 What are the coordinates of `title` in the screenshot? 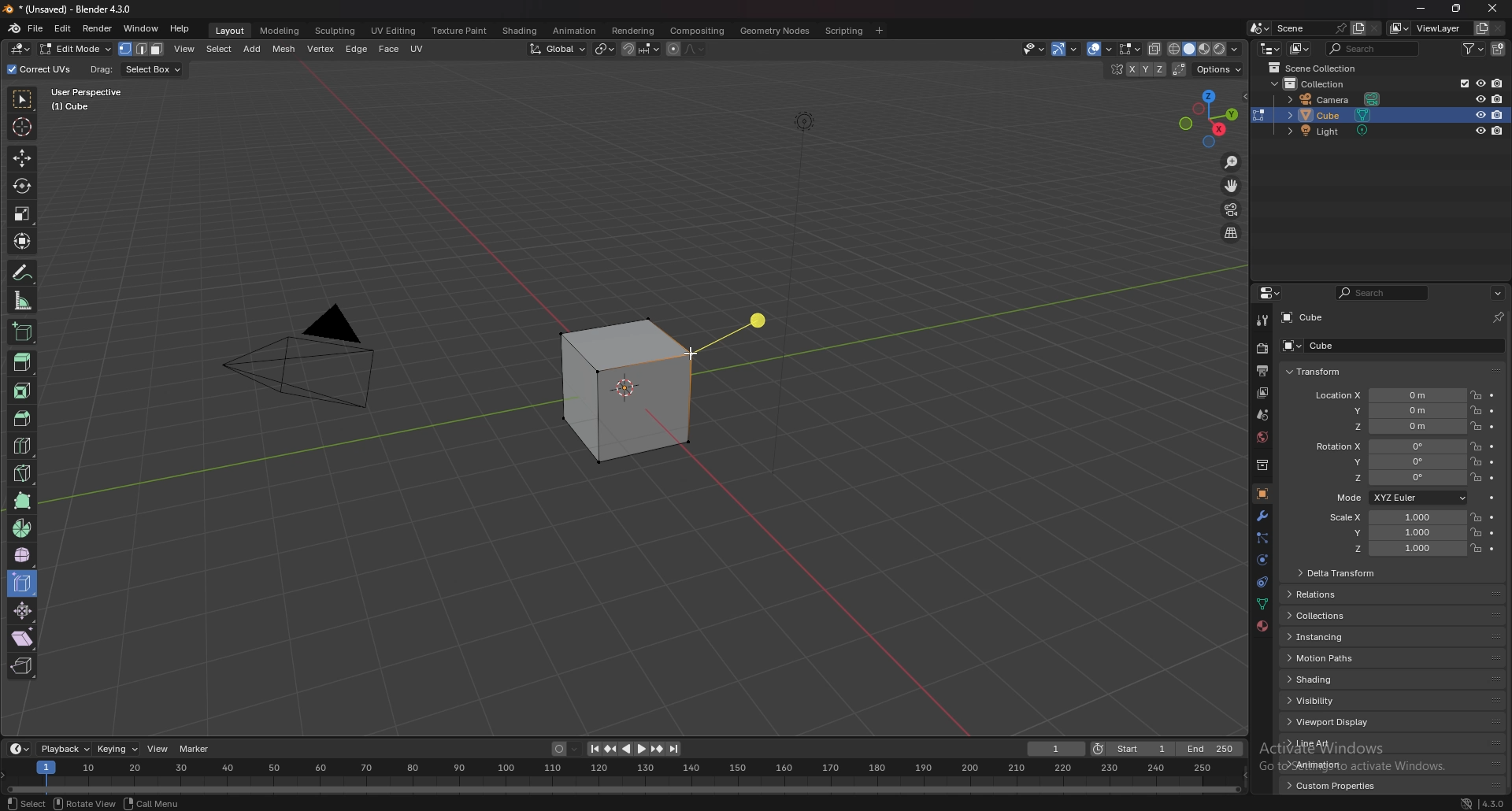 It's located at (75, 9).